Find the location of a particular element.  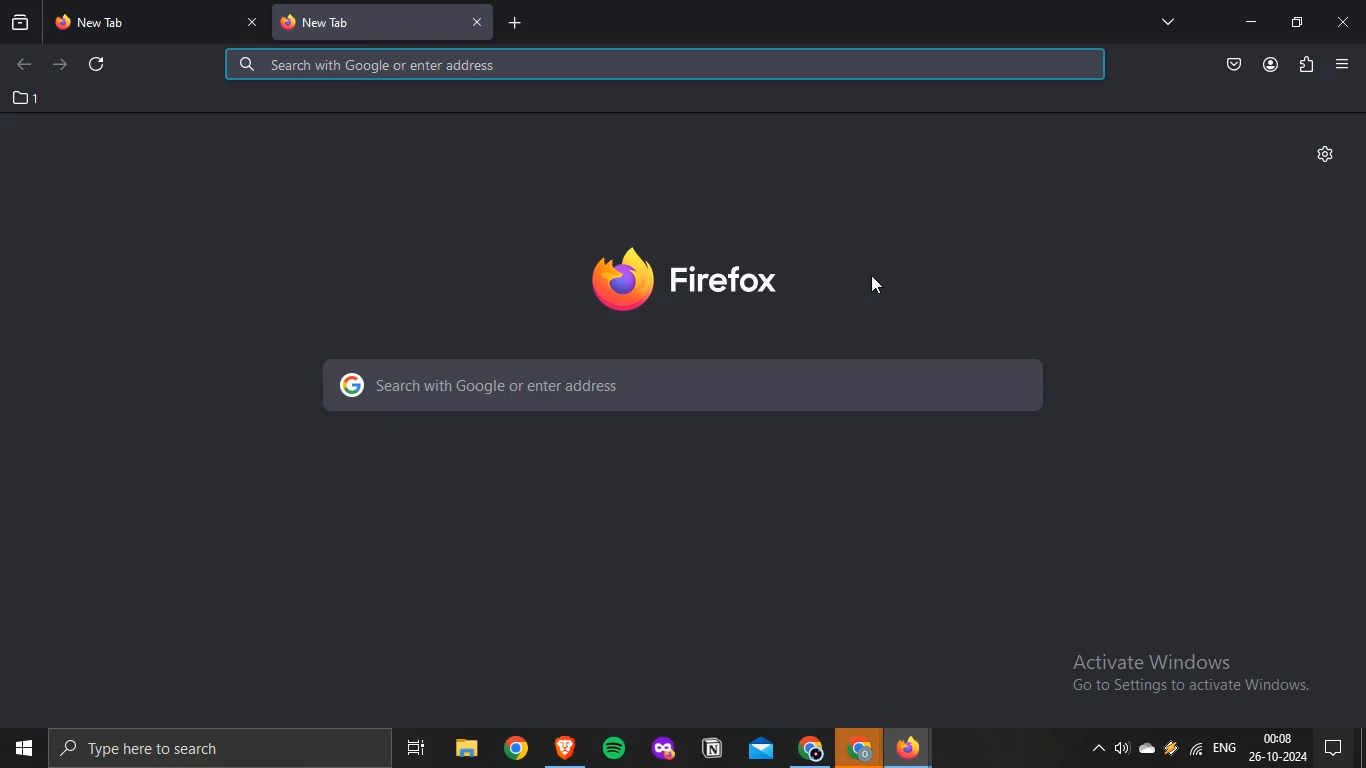

mail is located at coordinates (758, 744).